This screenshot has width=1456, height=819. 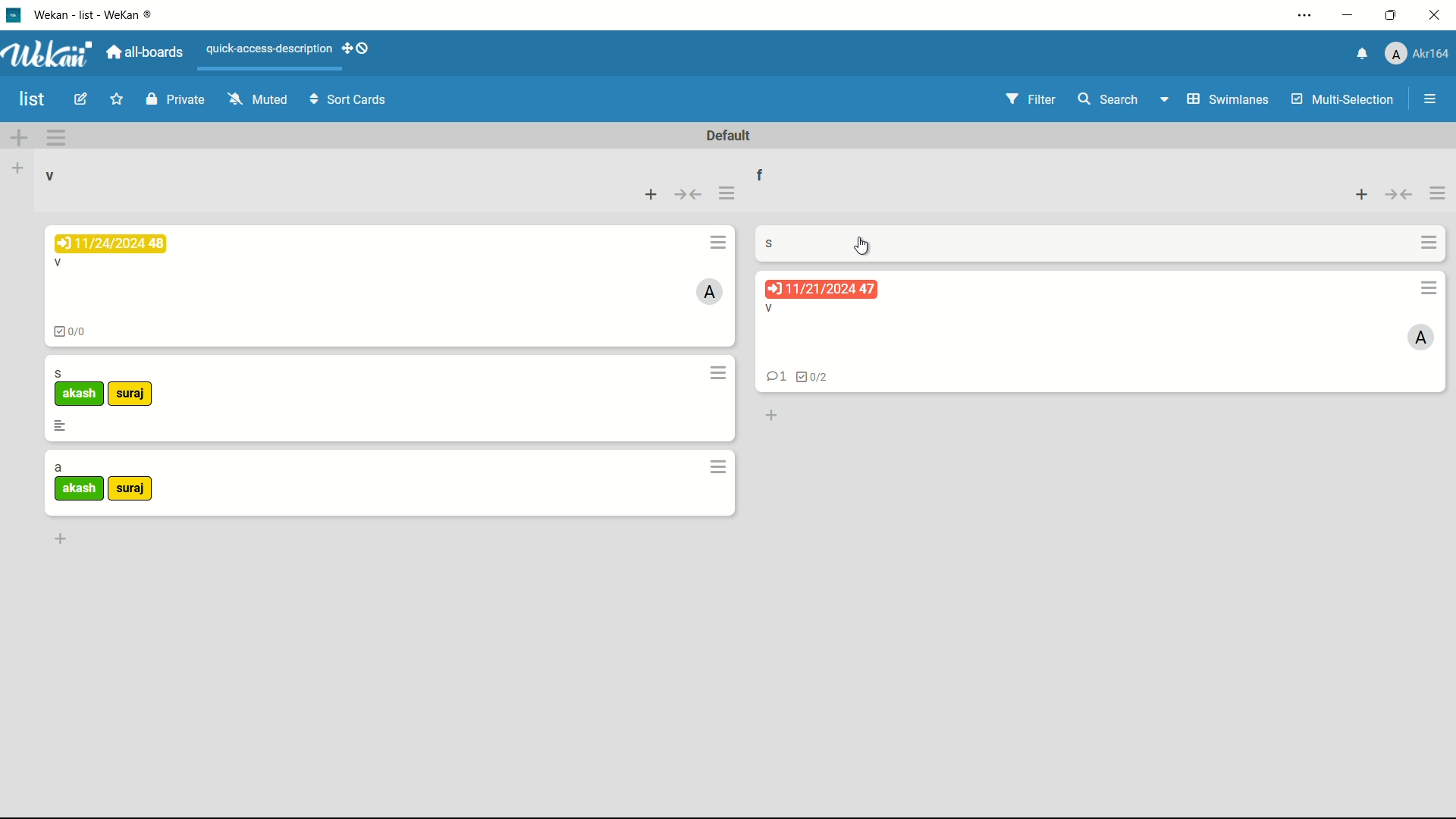 What do you see at coordinates (19, 139) in the screenshot?
I see `add swimlane` at bounding box center [19, 139].